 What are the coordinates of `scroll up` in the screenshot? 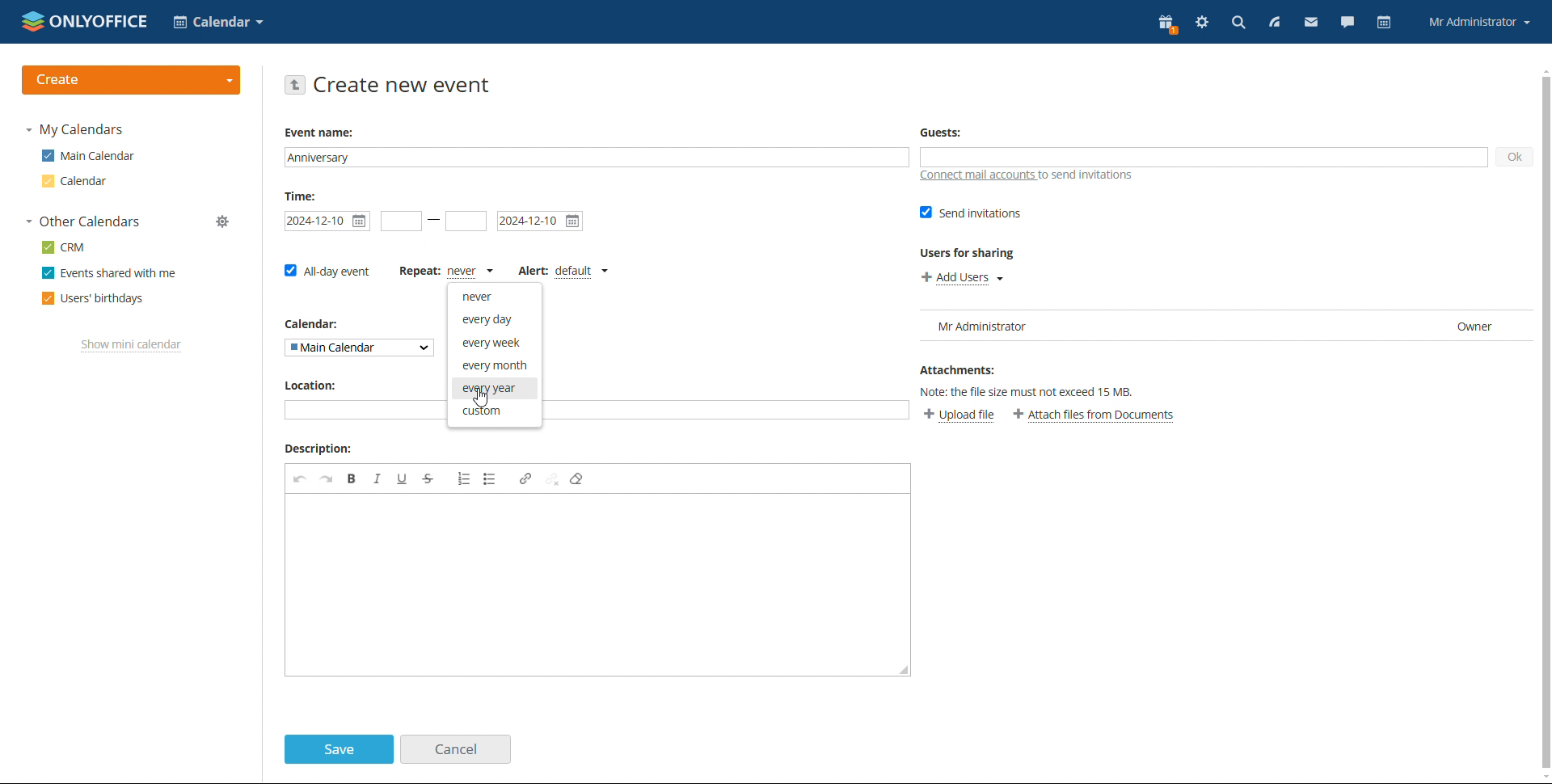 It's located at (1542, 70).